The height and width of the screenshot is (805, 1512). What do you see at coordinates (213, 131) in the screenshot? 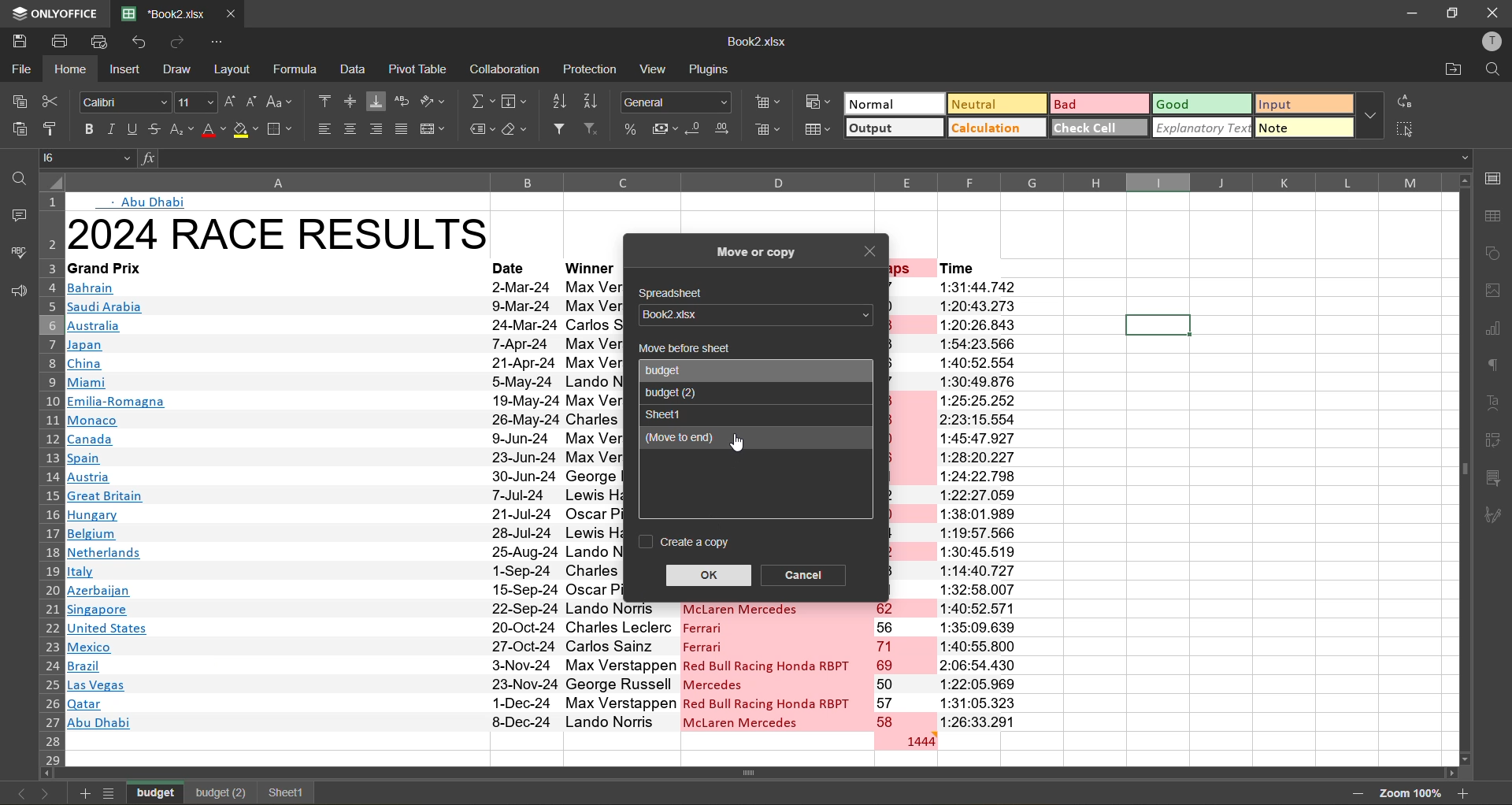
I see `font color` at bounding box center [213, 131].